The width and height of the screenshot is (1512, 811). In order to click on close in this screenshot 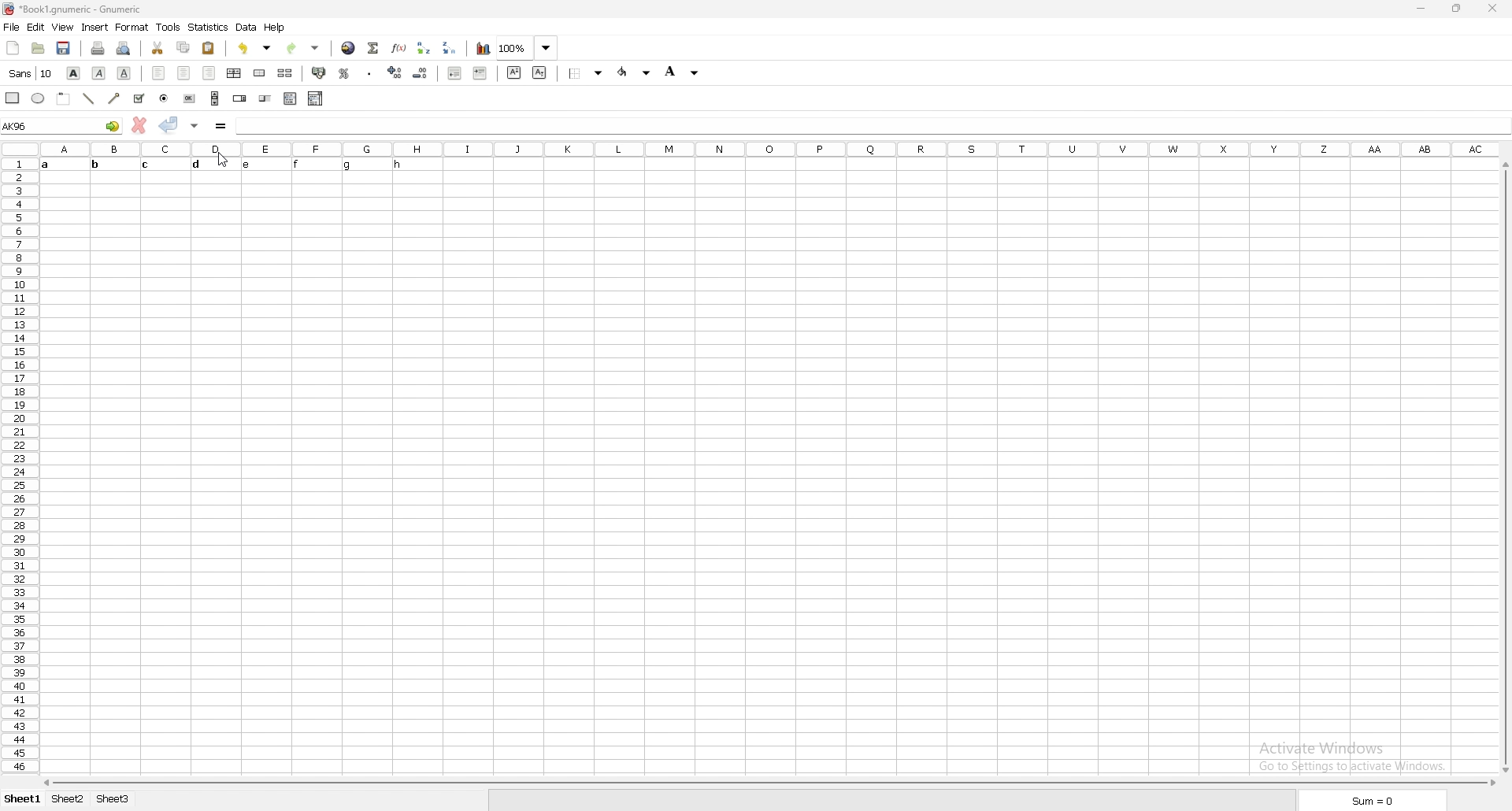, I will do `click(1492, 8)`.